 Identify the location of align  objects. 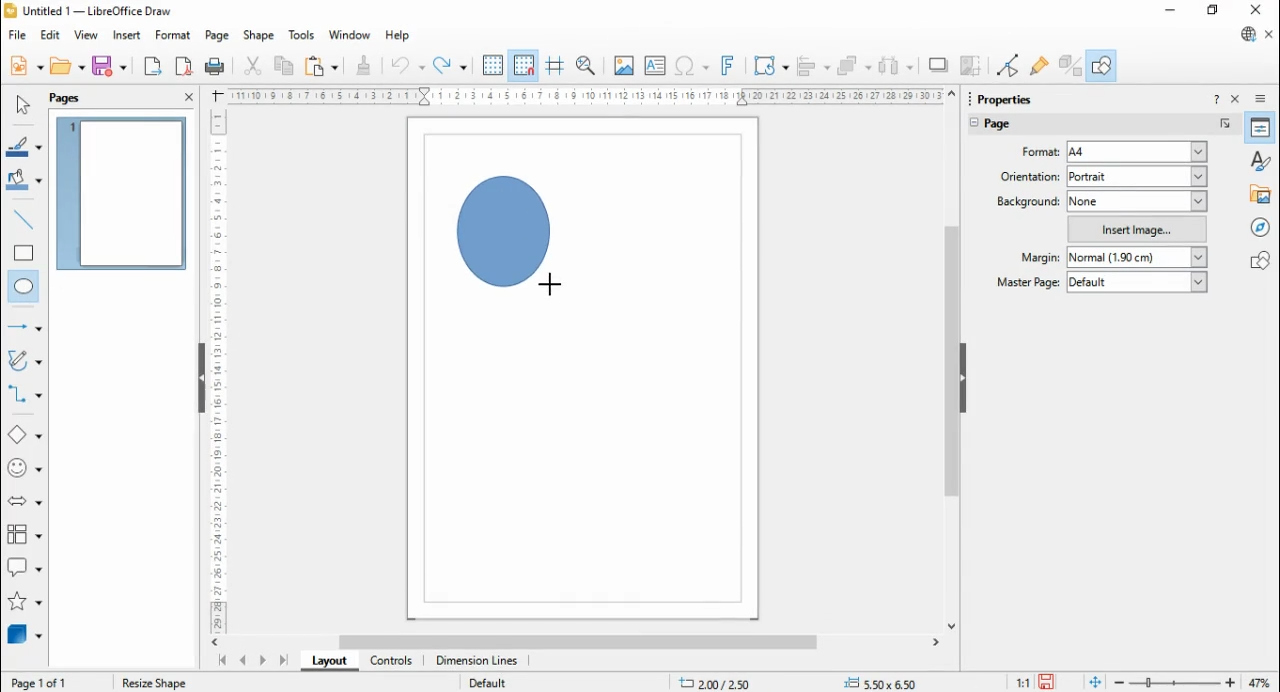
(813, 66).